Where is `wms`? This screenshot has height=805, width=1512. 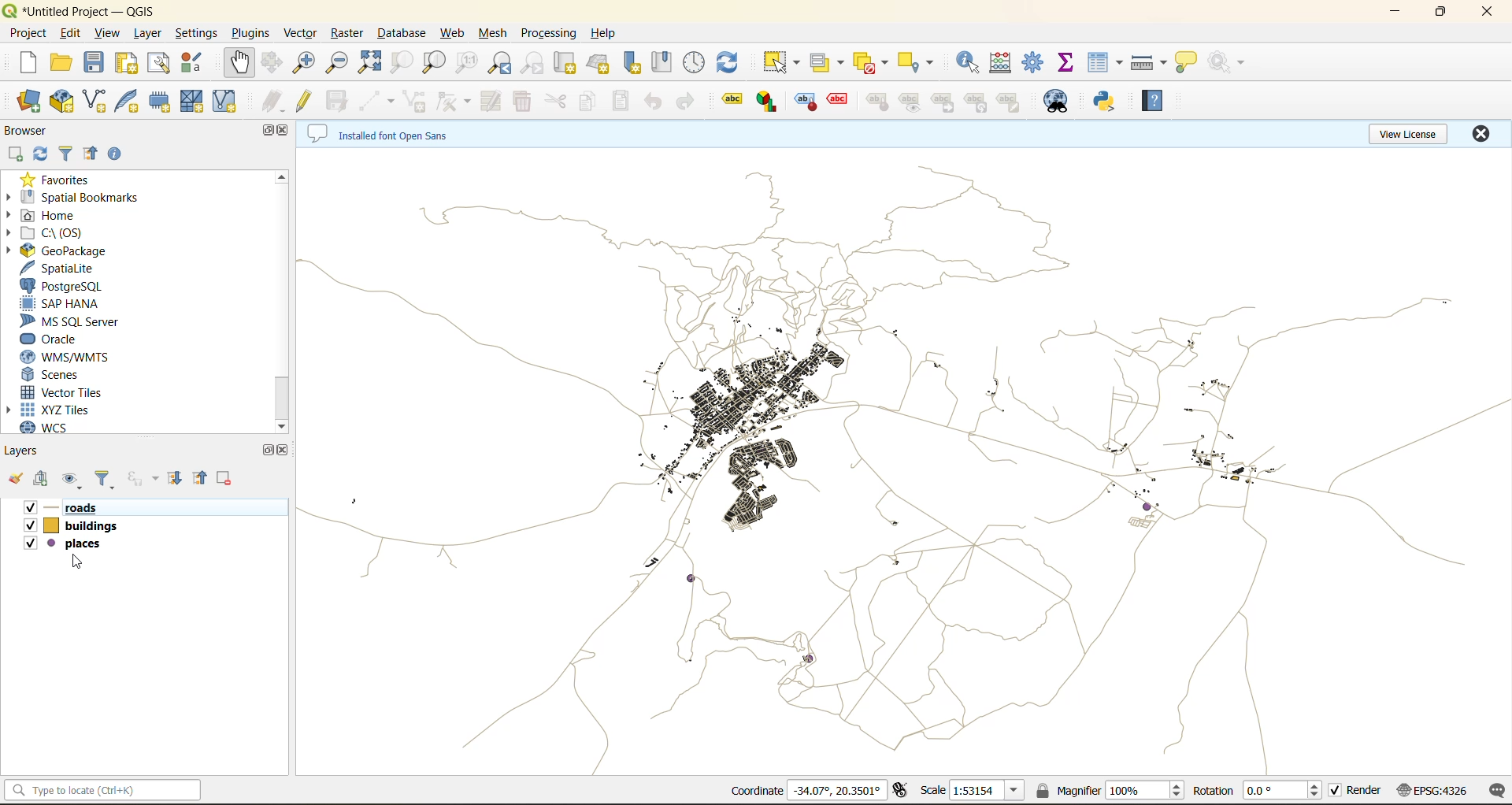 wms is located at coordinates (94, 358).